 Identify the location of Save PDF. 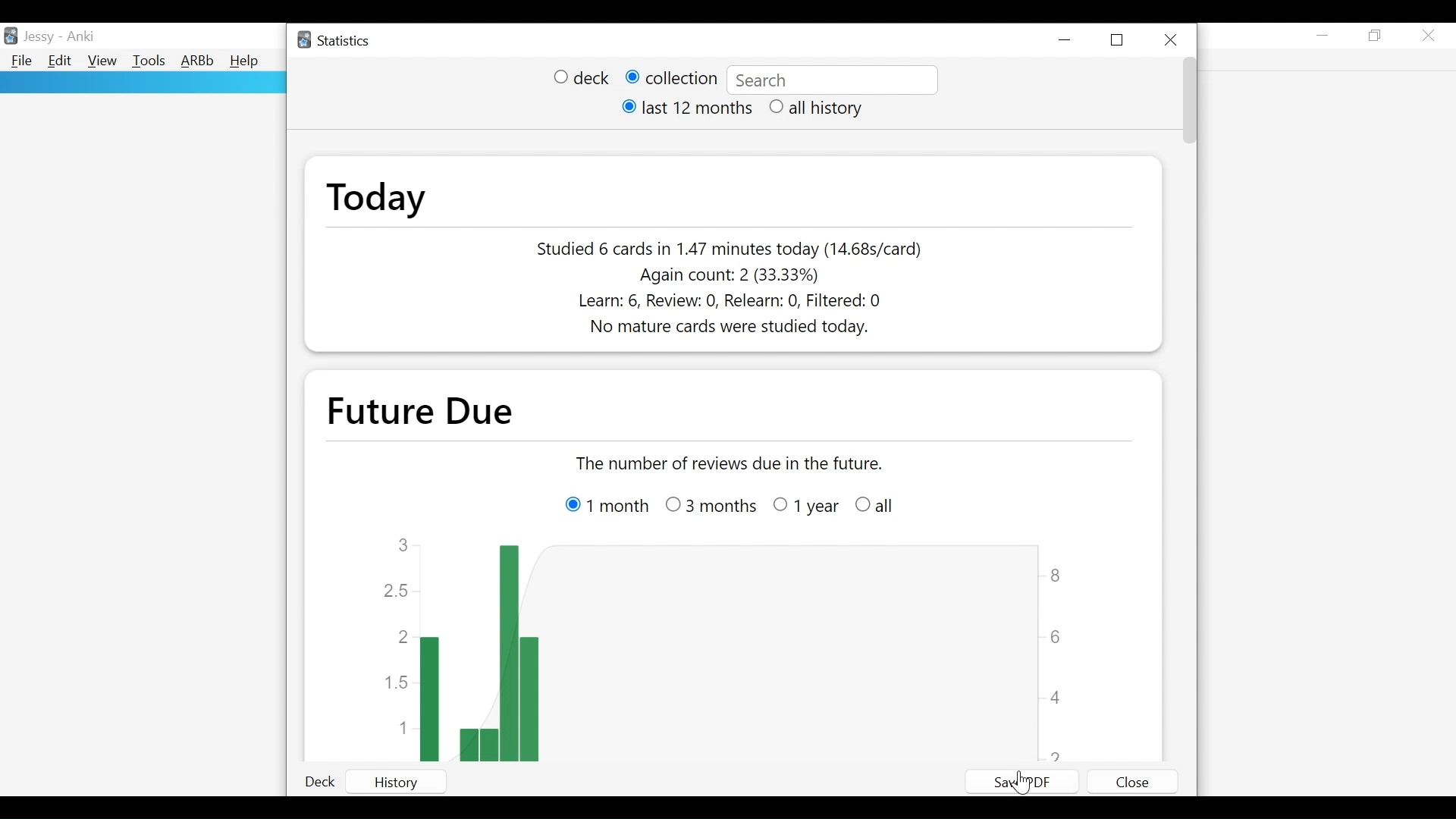
(1023, 780).